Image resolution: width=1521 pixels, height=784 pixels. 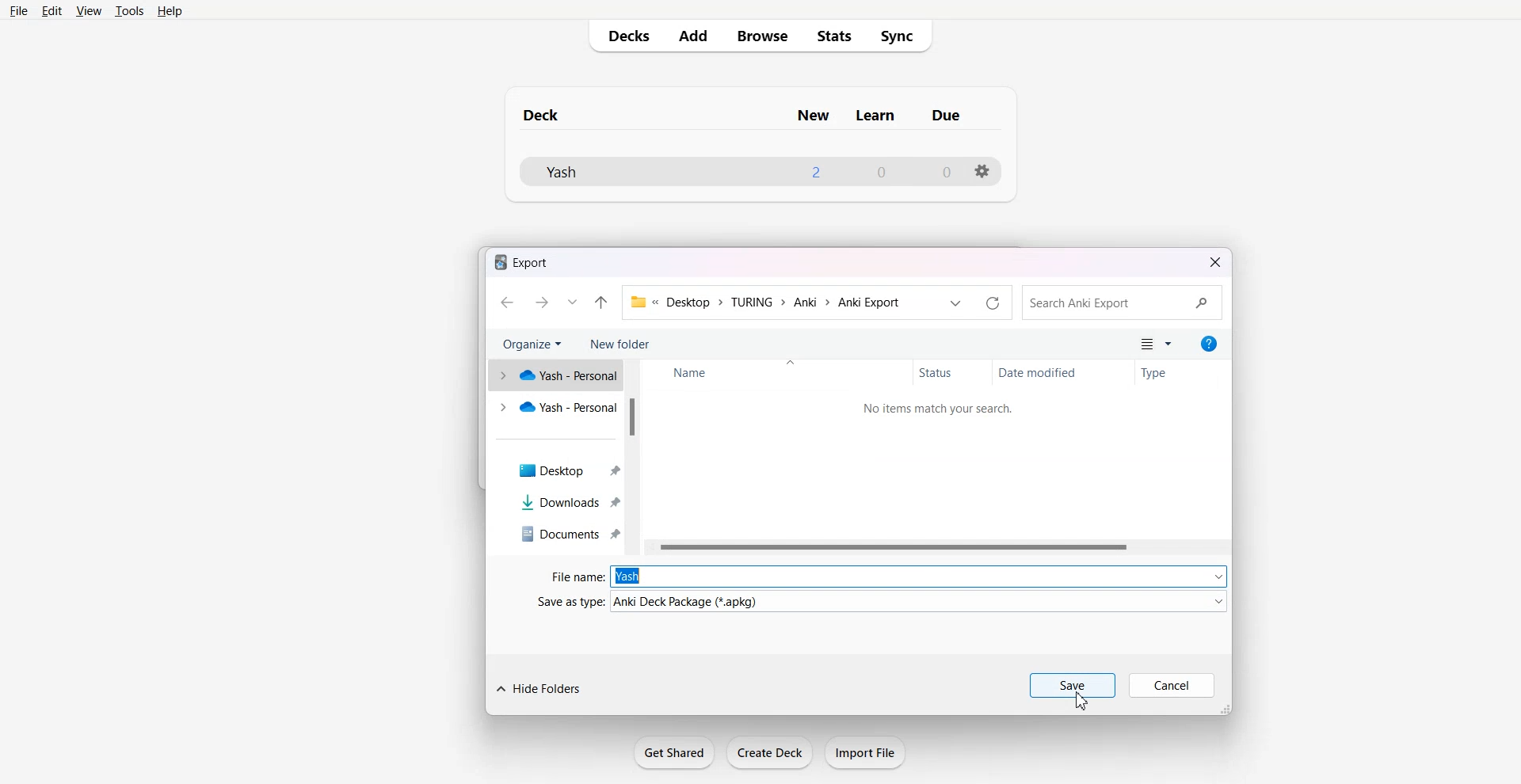 I want to click on Vertical Scroll bar, so click(x=634, y=457).